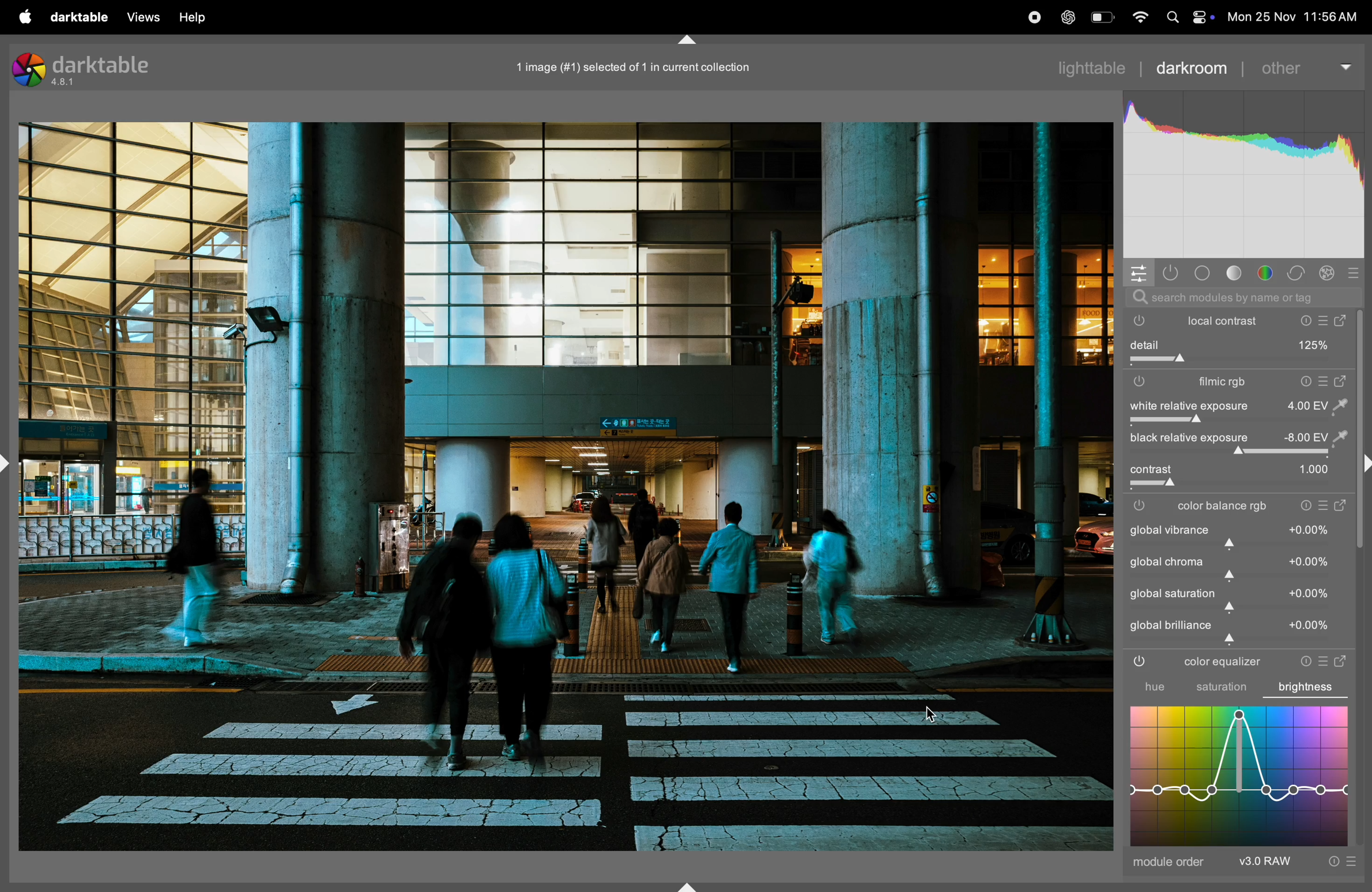 The image size is (1372, 892). Describe the element at coordinates (1171, 625) in the screenshot. I see `global brillance` at that location.